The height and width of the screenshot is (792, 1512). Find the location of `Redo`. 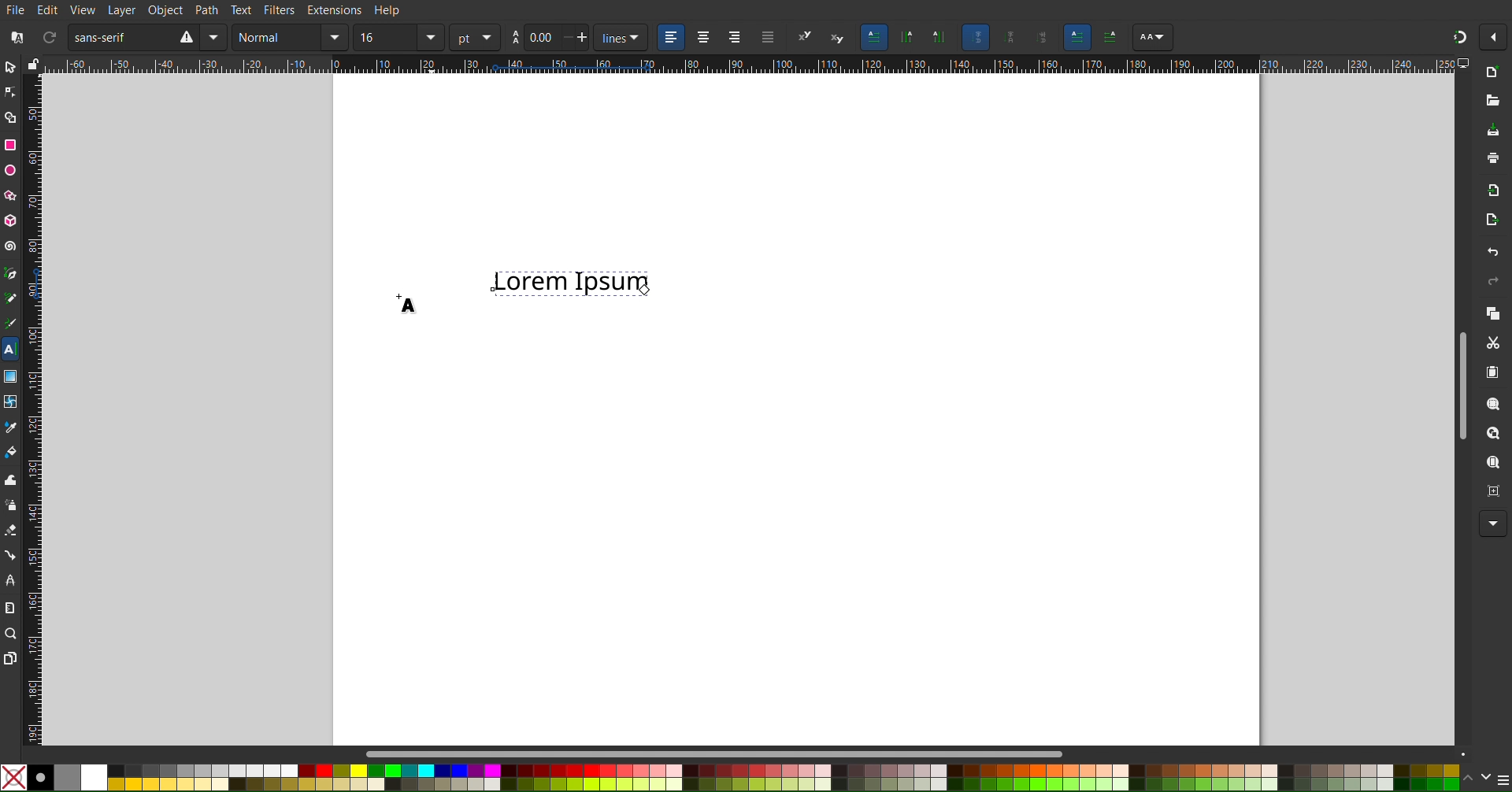

Redo is located at coordinates (1492, 281).